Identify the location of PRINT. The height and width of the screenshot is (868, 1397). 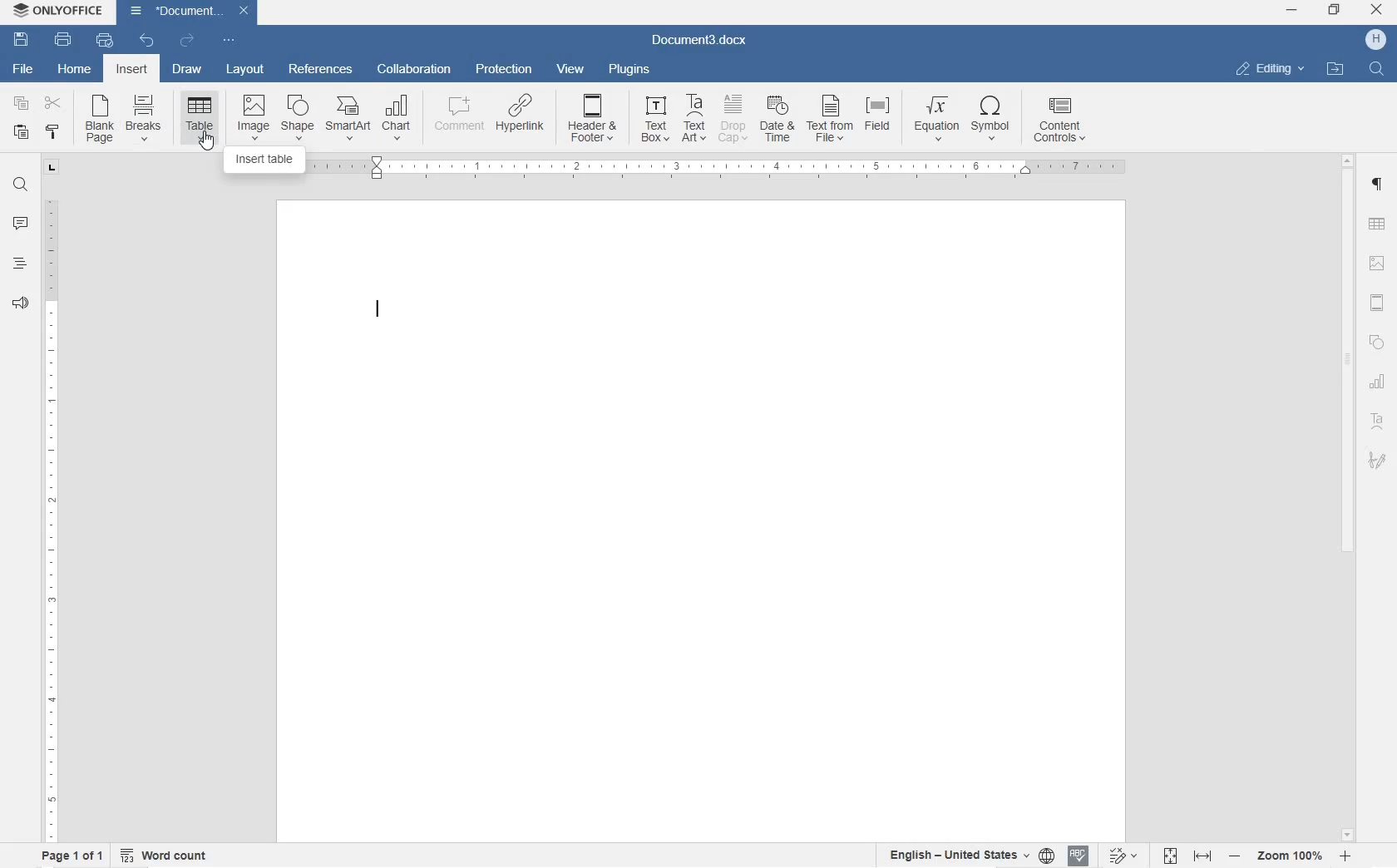
(64, 39).